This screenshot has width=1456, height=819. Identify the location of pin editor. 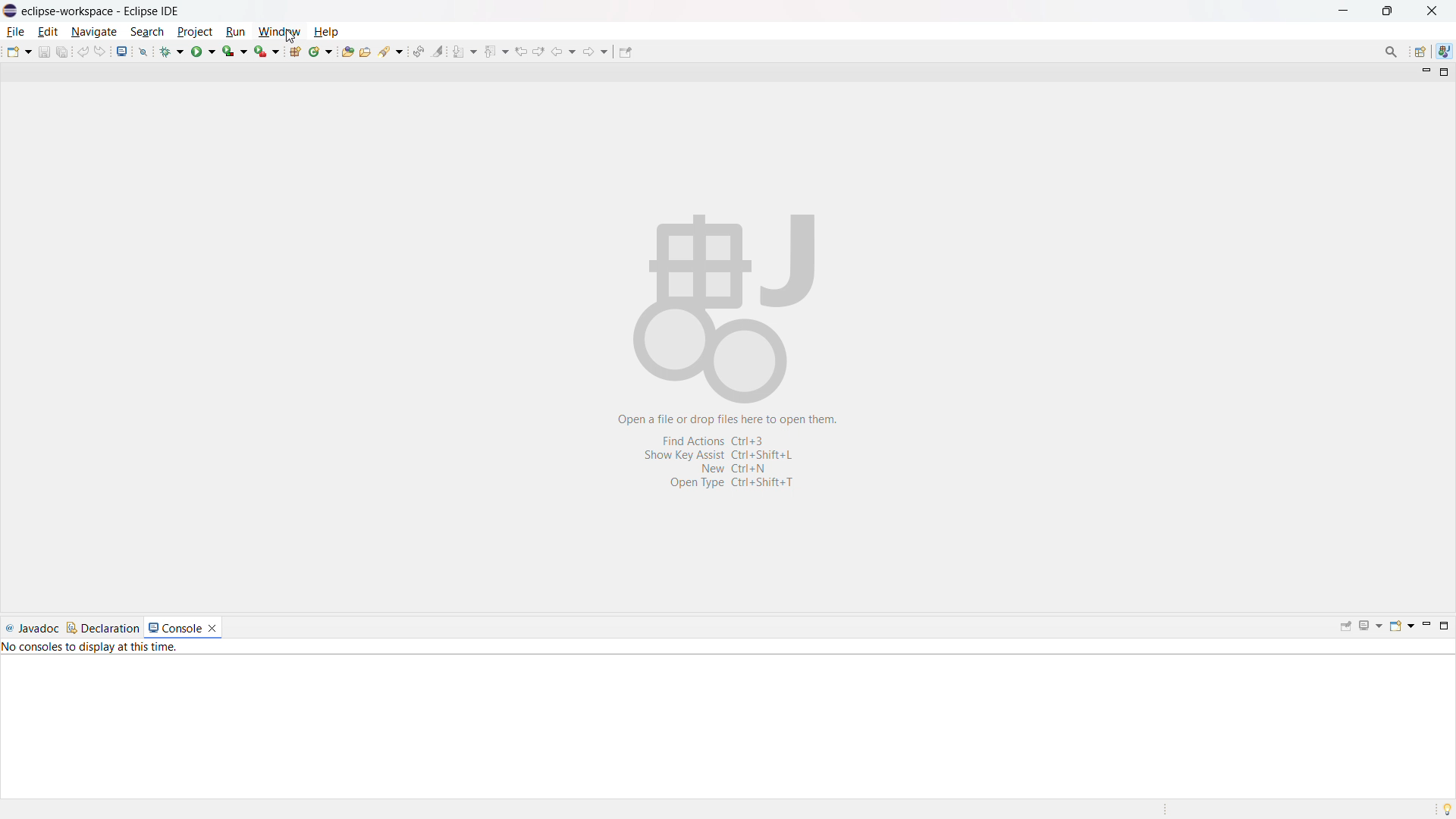
(626, 53).